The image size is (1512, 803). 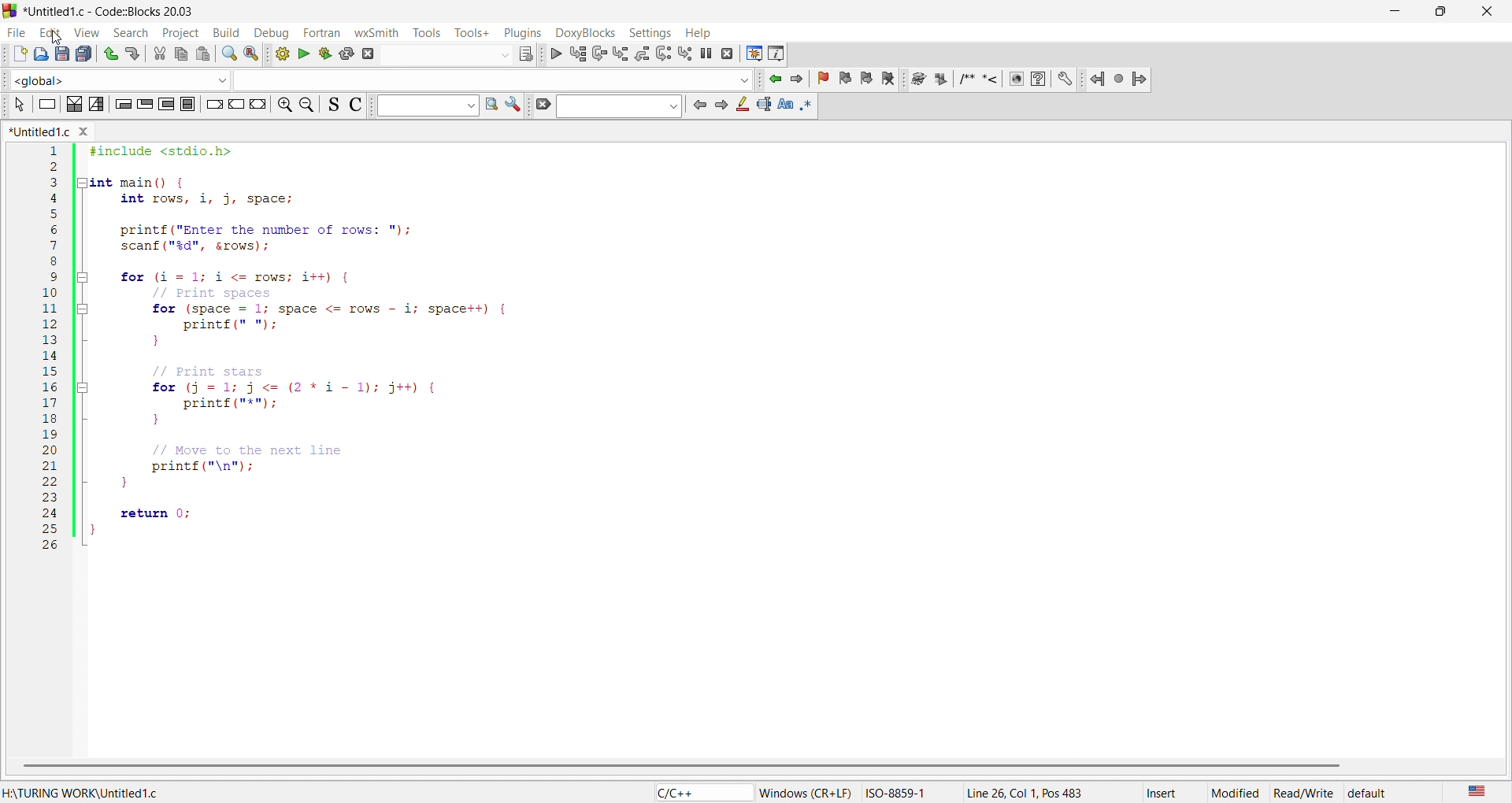 I want to click on debugging window, so click(x=750, y=53).